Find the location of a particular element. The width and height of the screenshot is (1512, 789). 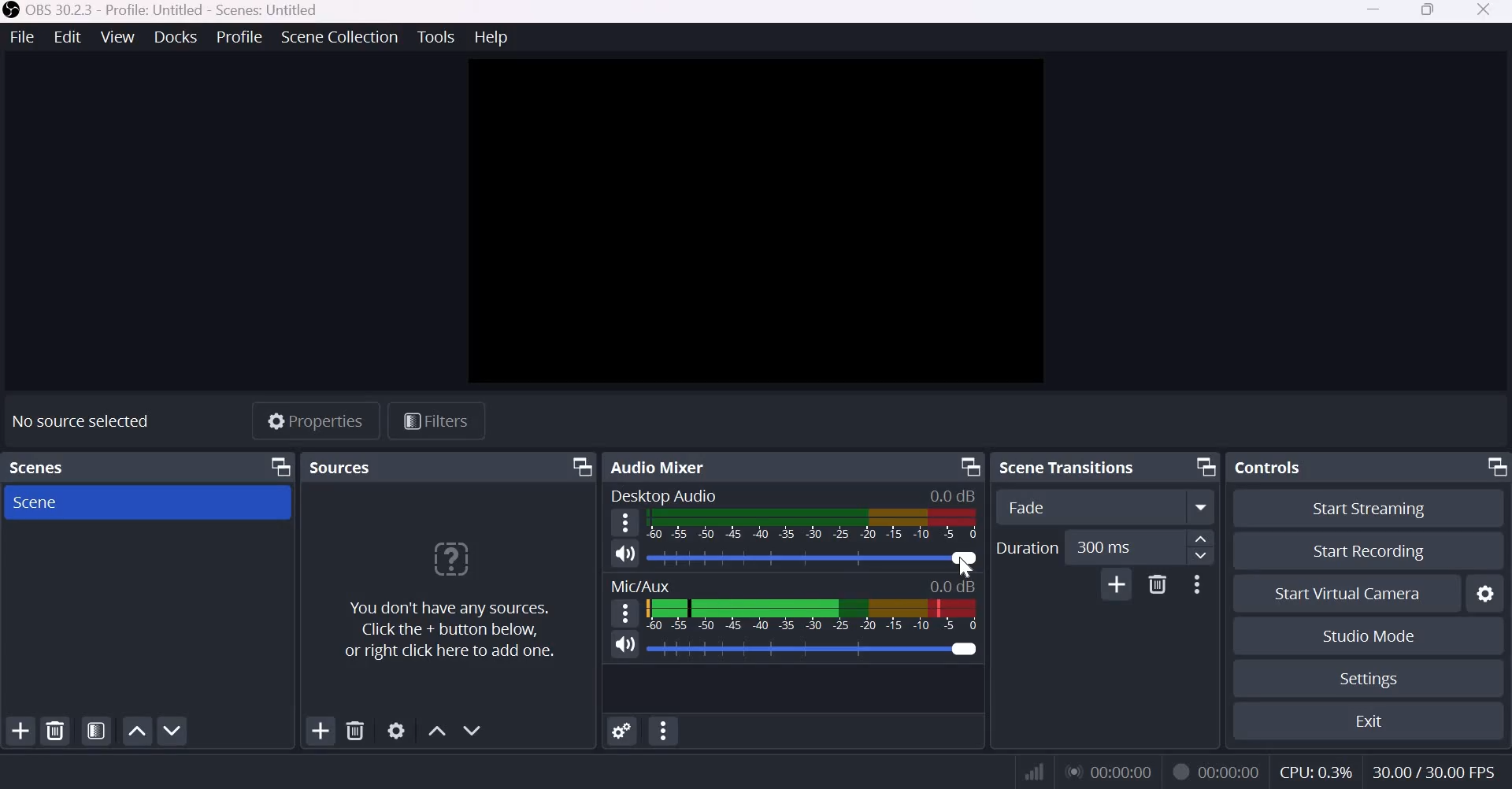

hamburger menu is located at coordinates (624, 523).